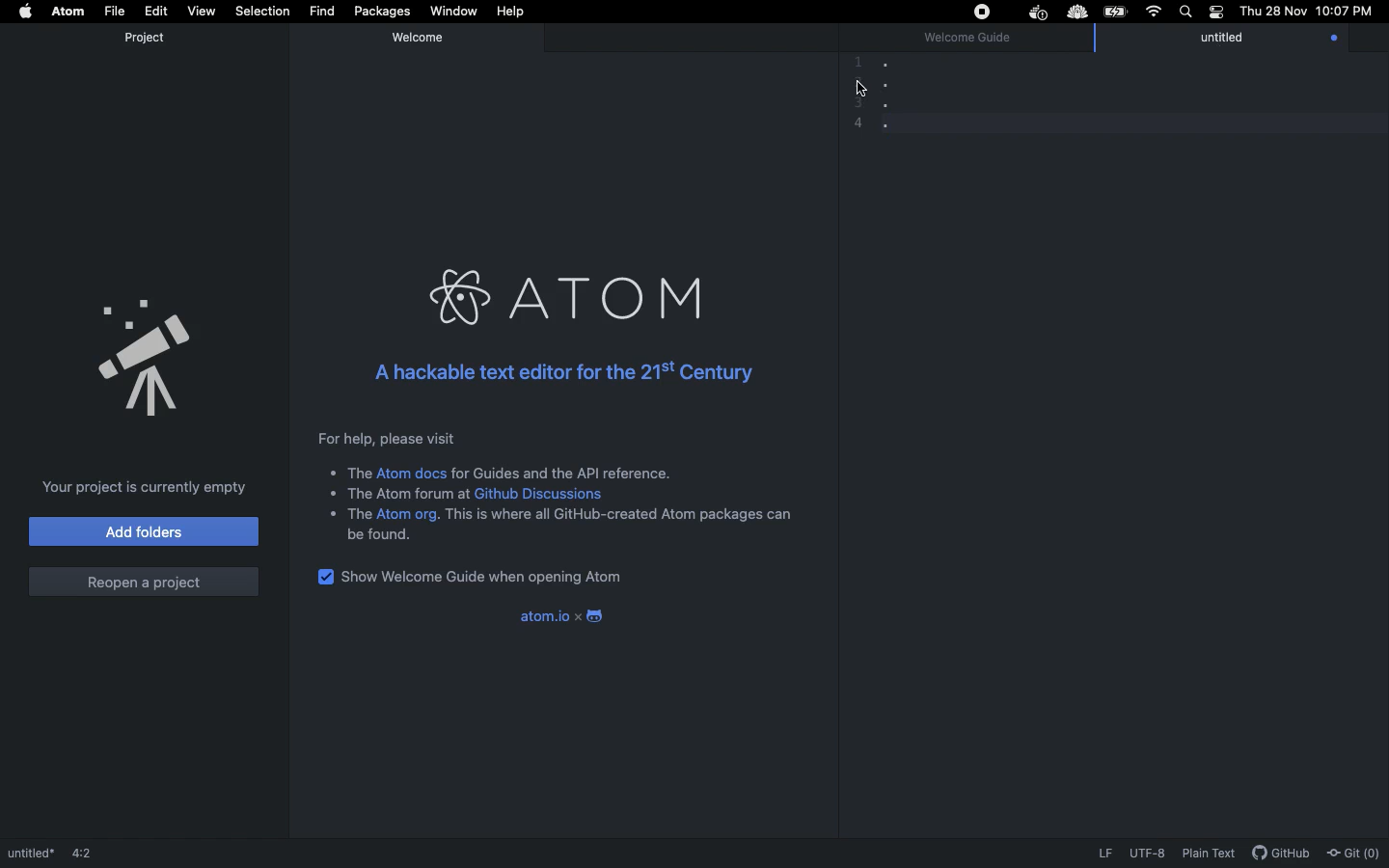 This screenshot has width=1389, height=868. What do you see at coordinates (422, 37) in the screenshot?
I see `Welcome` at bounding box center [422, 37].